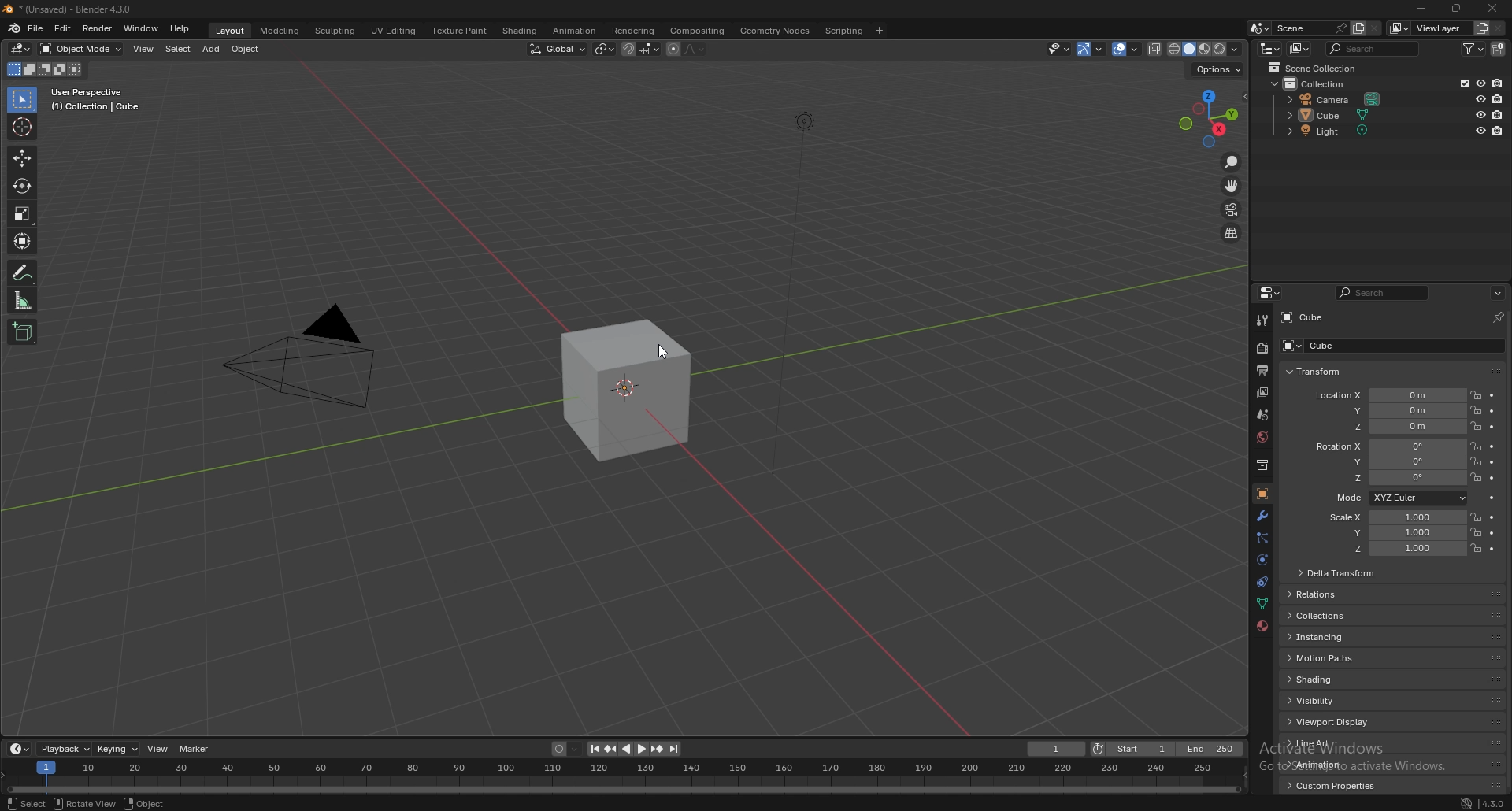 This screenshot has height=811, width=1512. Describe the element at coordinates (1491, 497) in the screenshot. I see `animate property` at that location.